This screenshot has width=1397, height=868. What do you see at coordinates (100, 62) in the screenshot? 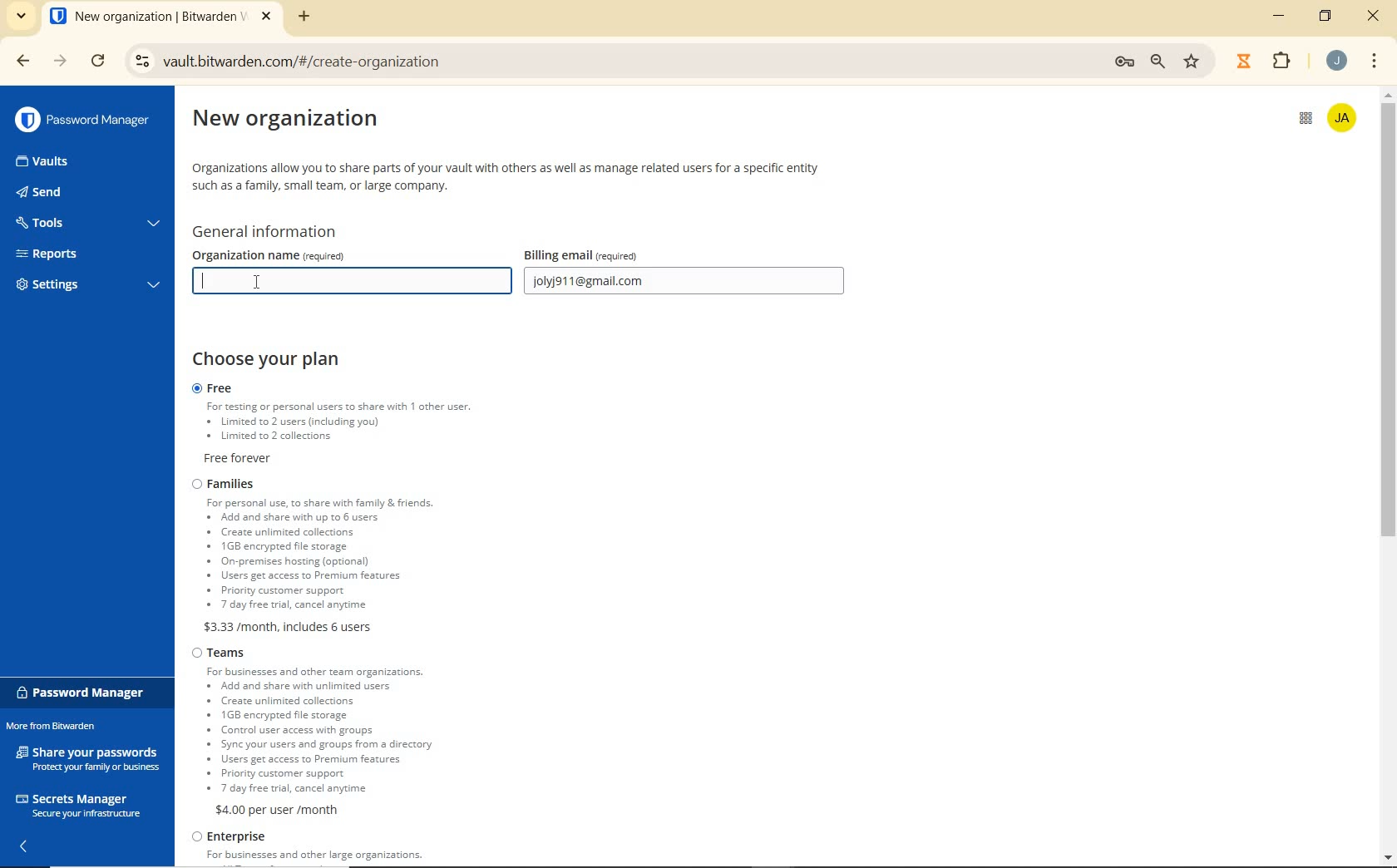
I see `reload` at bounding box center [100, 62].